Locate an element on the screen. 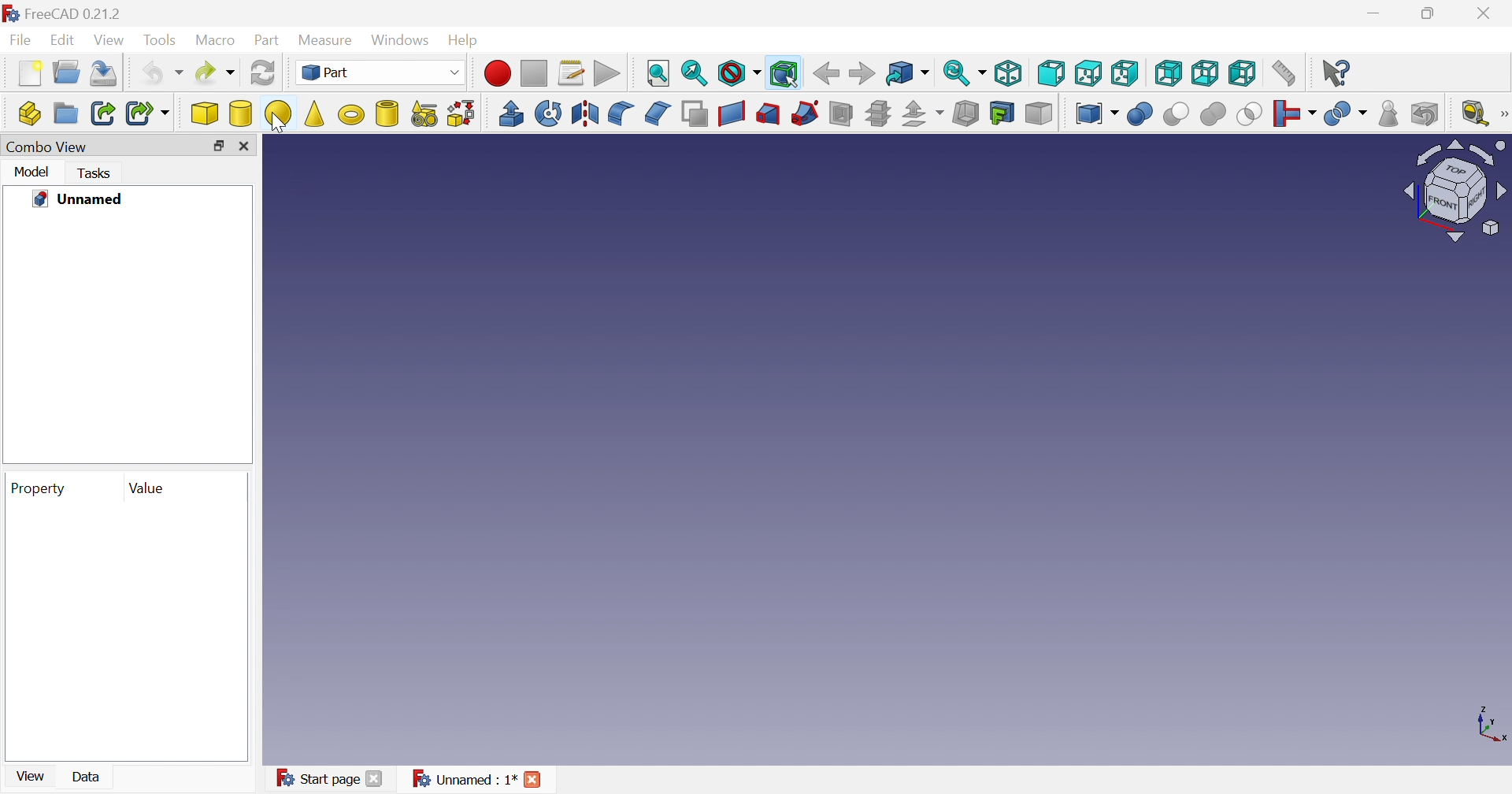 This screenshot has height=794, width=1512. Cube is located at coordinates (206, 114).